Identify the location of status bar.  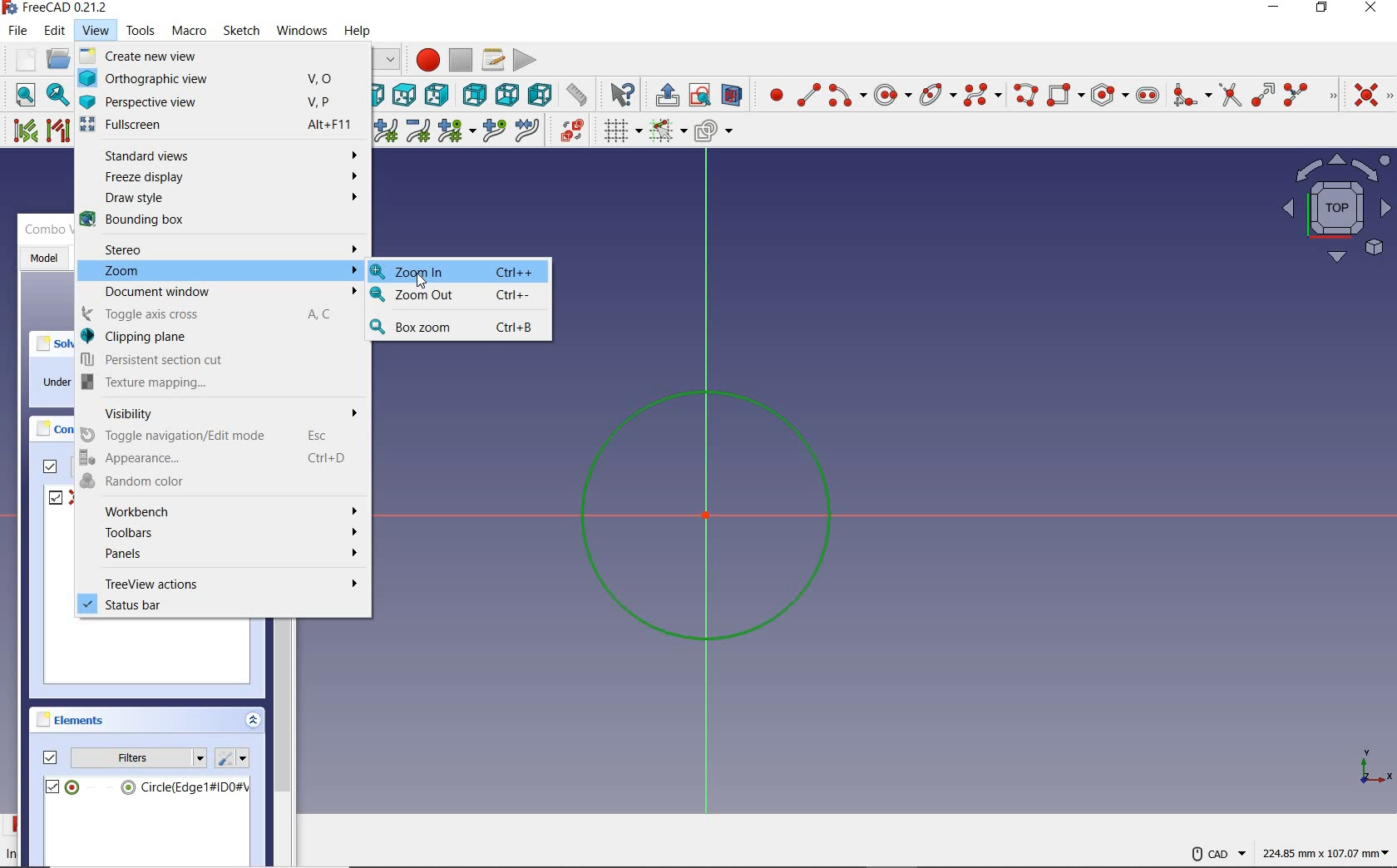
(223, 605).